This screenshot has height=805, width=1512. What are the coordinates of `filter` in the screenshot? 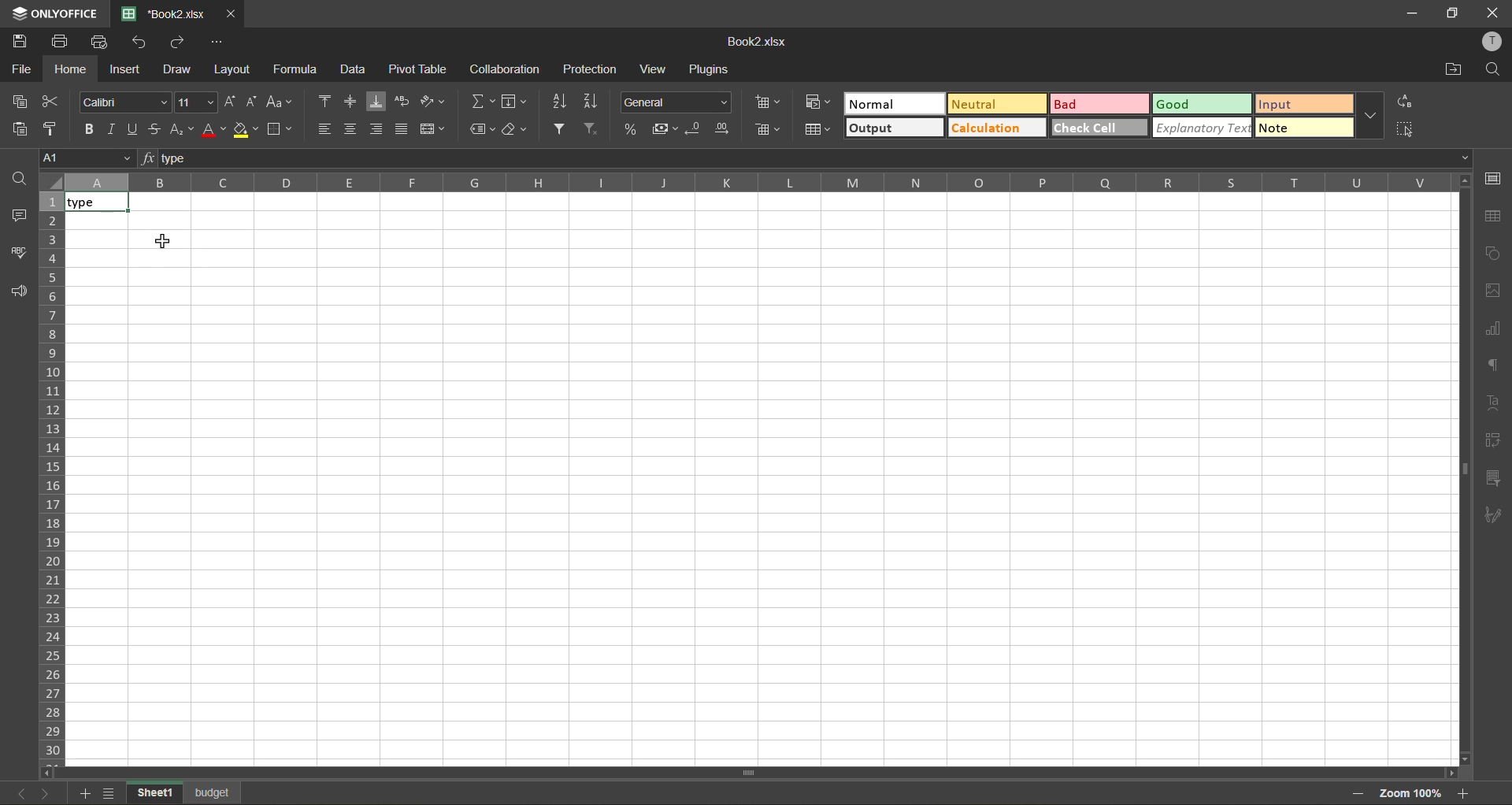 It's located at (559, 131).